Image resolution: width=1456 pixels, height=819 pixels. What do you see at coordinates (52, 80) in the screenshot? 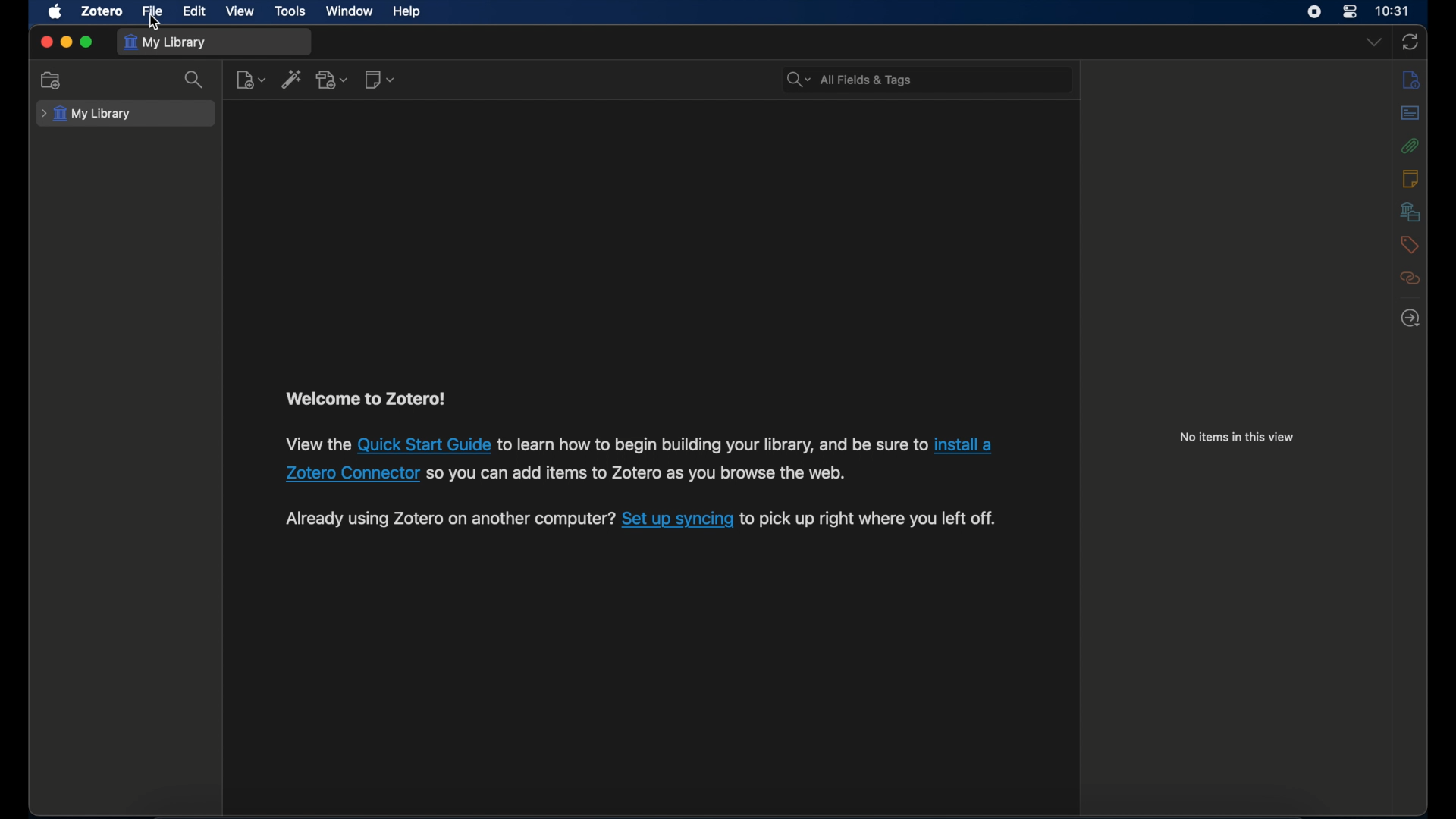
I see `new collection` at bounding box center [52, 80].